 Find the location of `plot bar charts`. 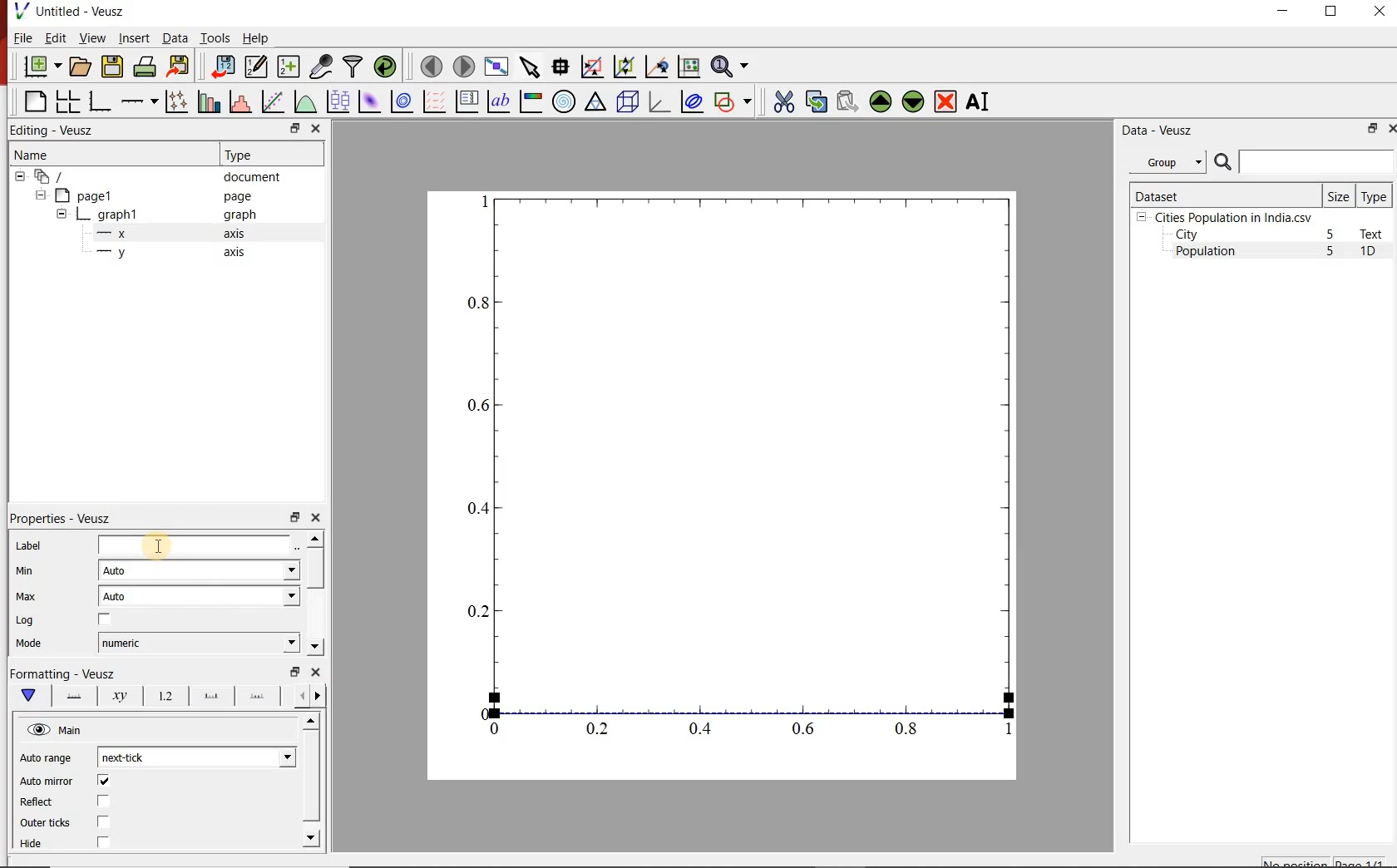

plot bar charts is located at coordinates (206, 101).